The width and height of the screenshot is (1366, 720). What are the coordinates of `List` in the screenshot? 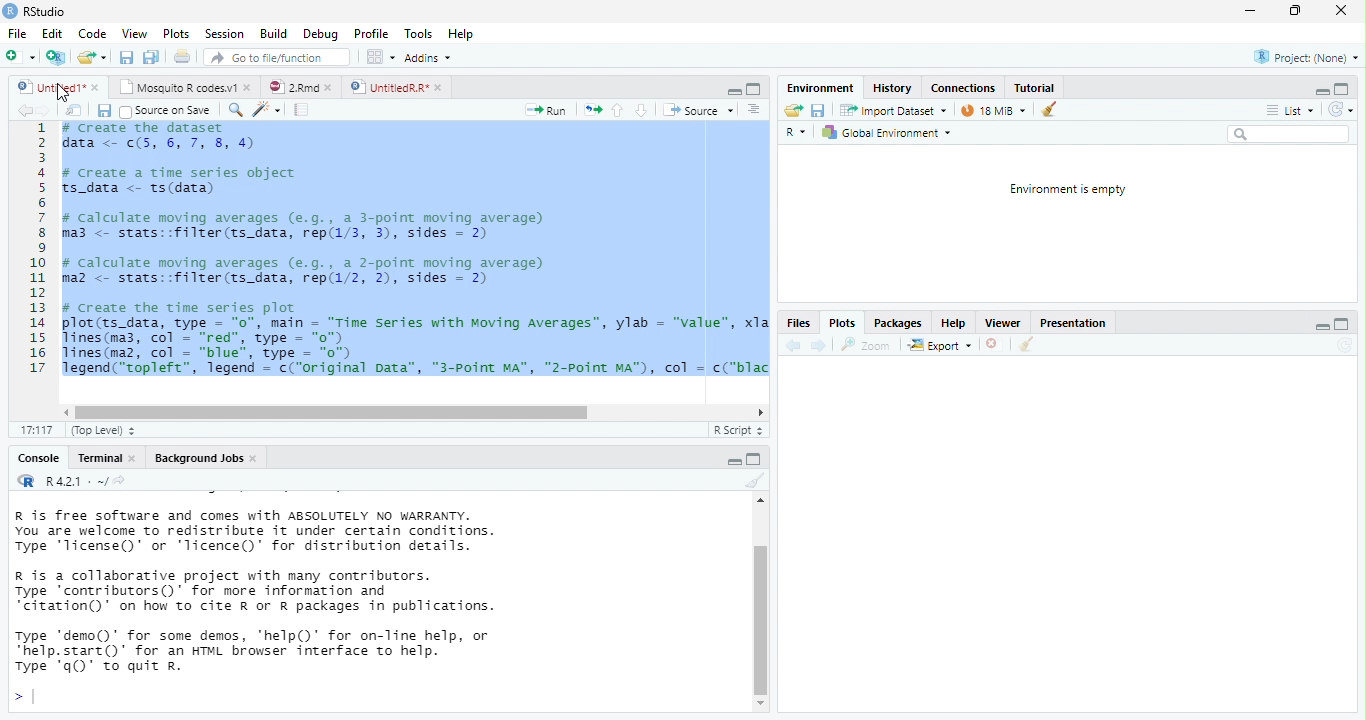 It's located at (1289, 111).